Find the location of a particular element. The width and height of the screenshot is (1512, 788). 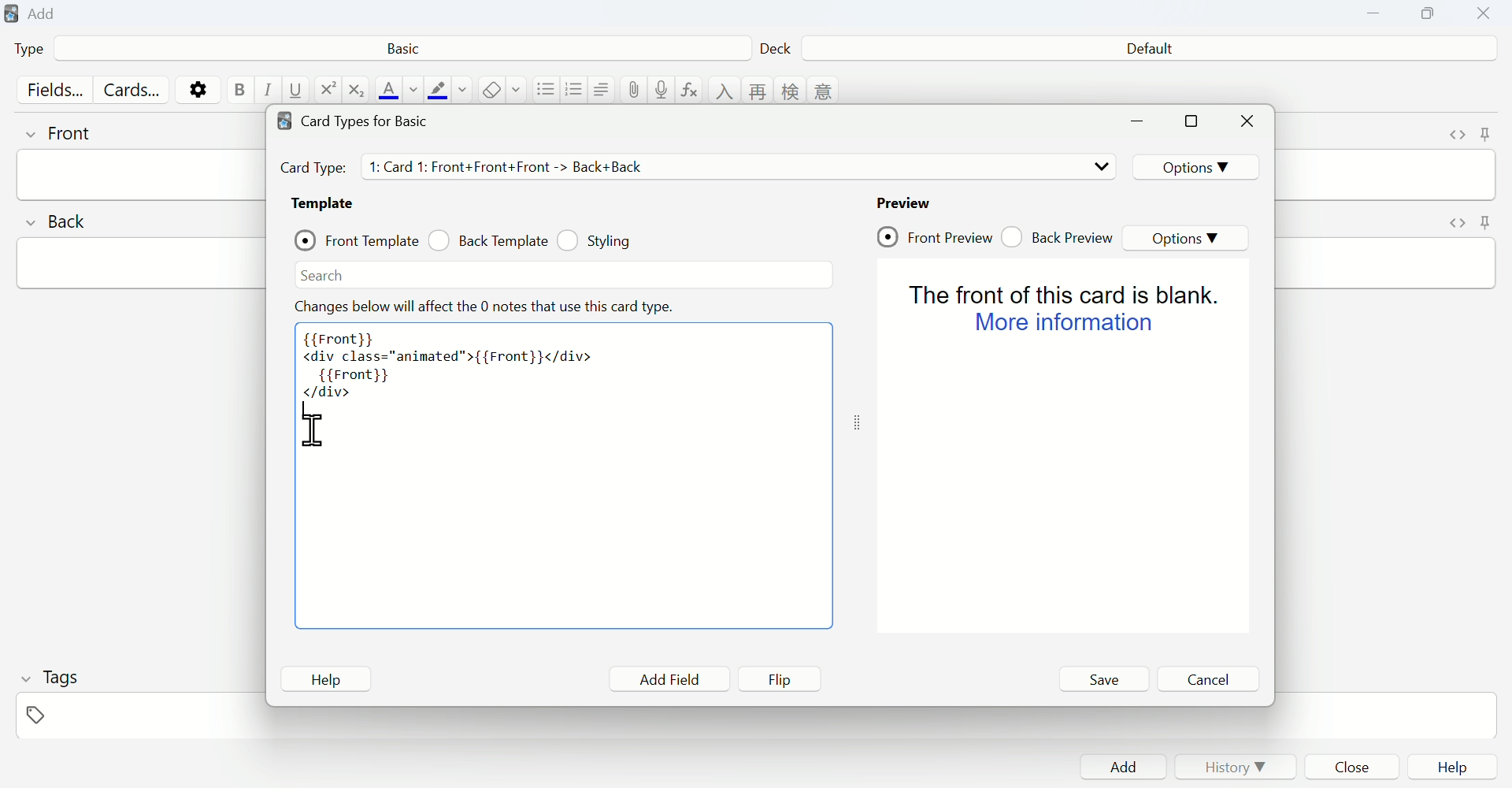

Flip is located at coordinates (779, 679).